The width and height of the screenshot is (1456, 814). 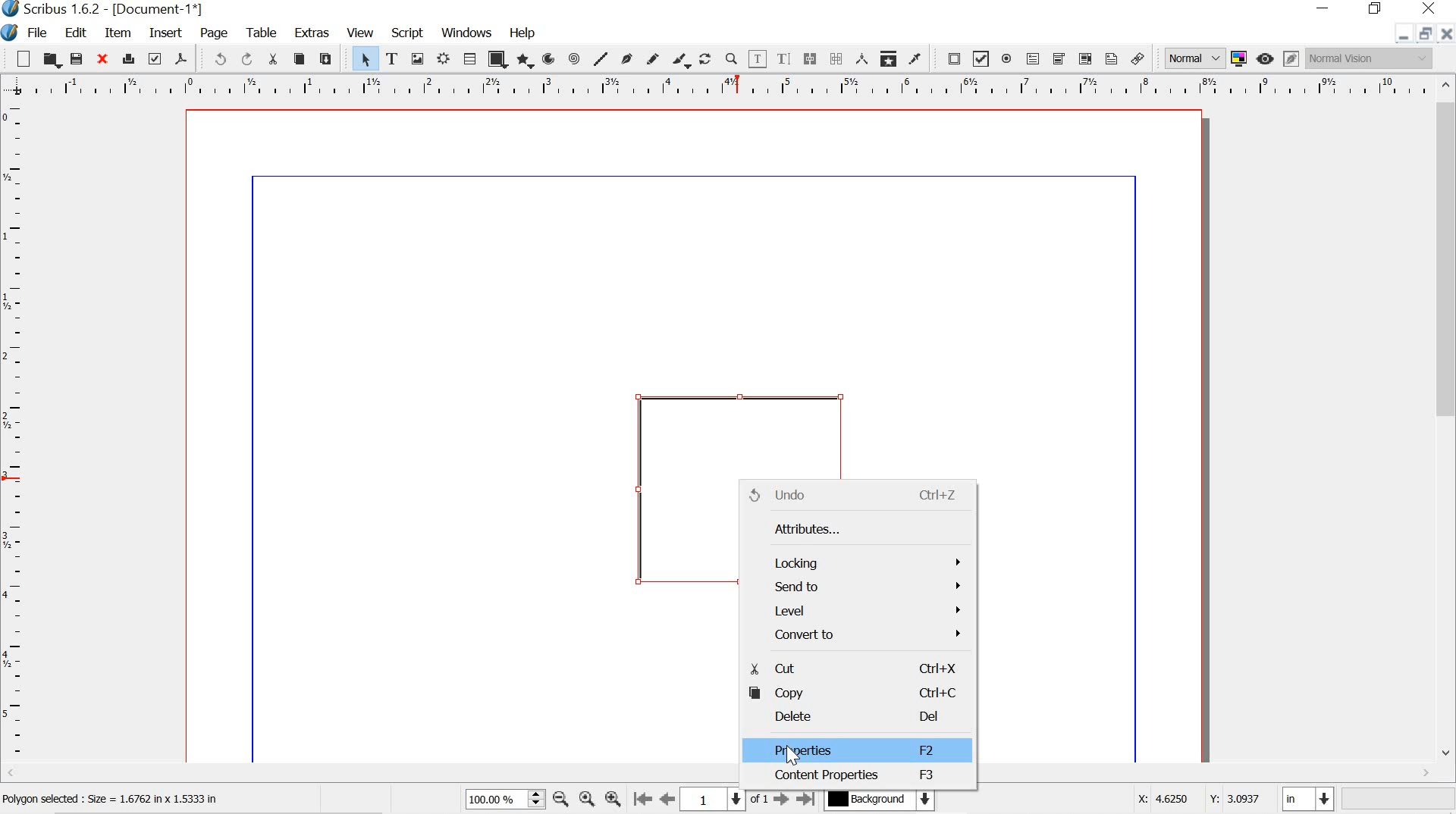 I want to click on text annotation, so click(x=1111, y=58).